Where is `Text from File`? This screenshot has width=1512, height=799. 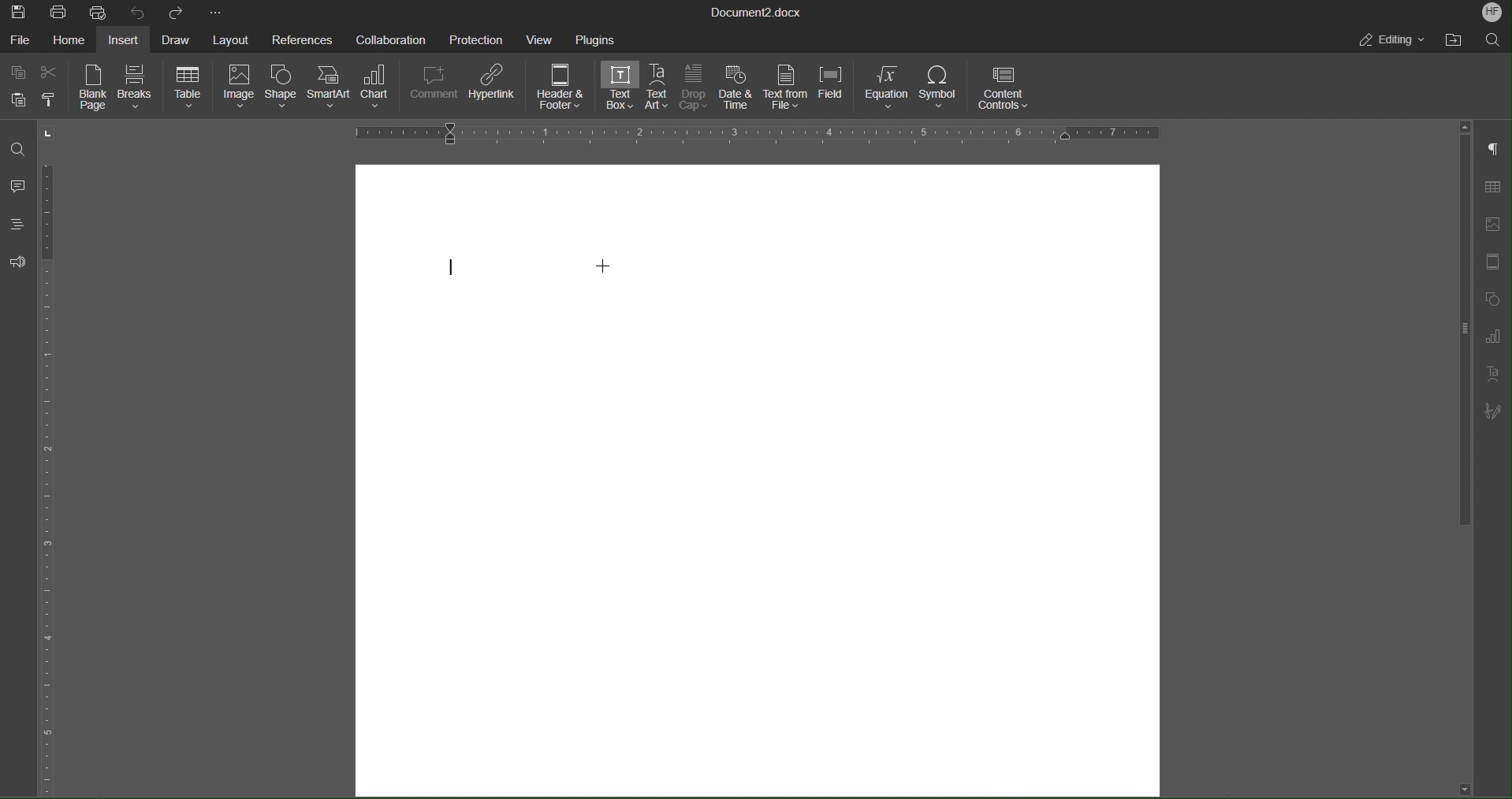
Text from File is located at coordinates (784, 87).